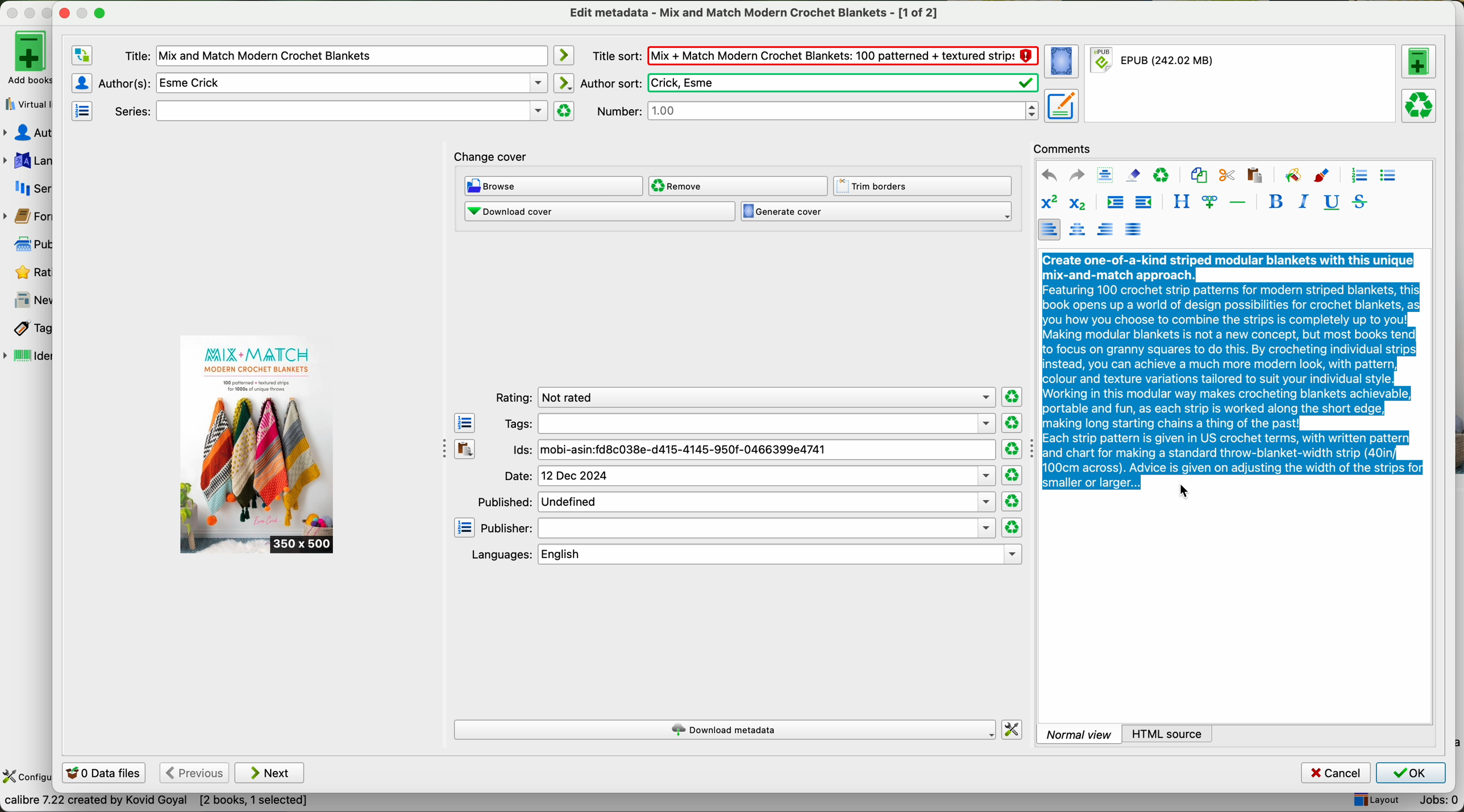 This screenshot has width=1464, height=812. What do you see at coordinates (738, 528) in the screenshot?
I see `publisher` at bounding box center [738, 528].